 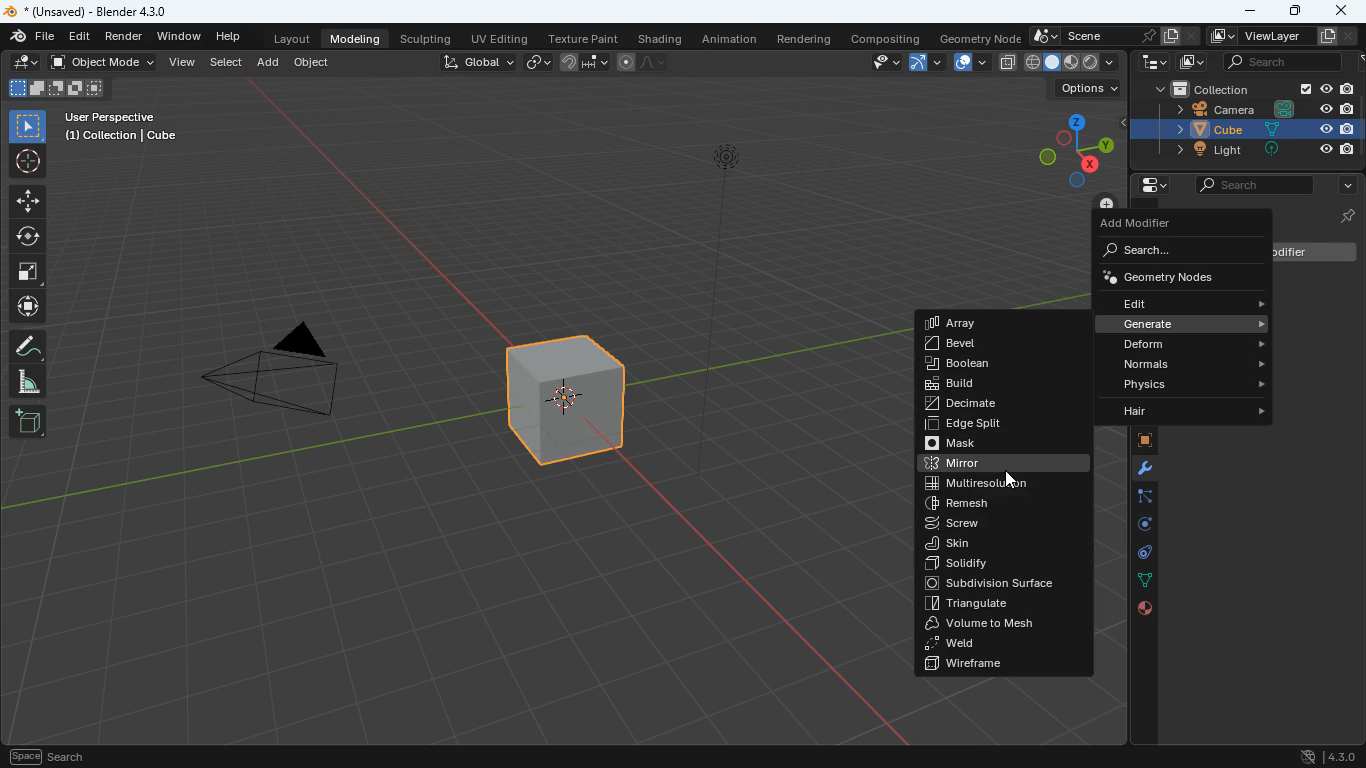 What do you see at coordinates (28, 307) in the screenshot?
I see `move cube` at bounding box center [28, 307].